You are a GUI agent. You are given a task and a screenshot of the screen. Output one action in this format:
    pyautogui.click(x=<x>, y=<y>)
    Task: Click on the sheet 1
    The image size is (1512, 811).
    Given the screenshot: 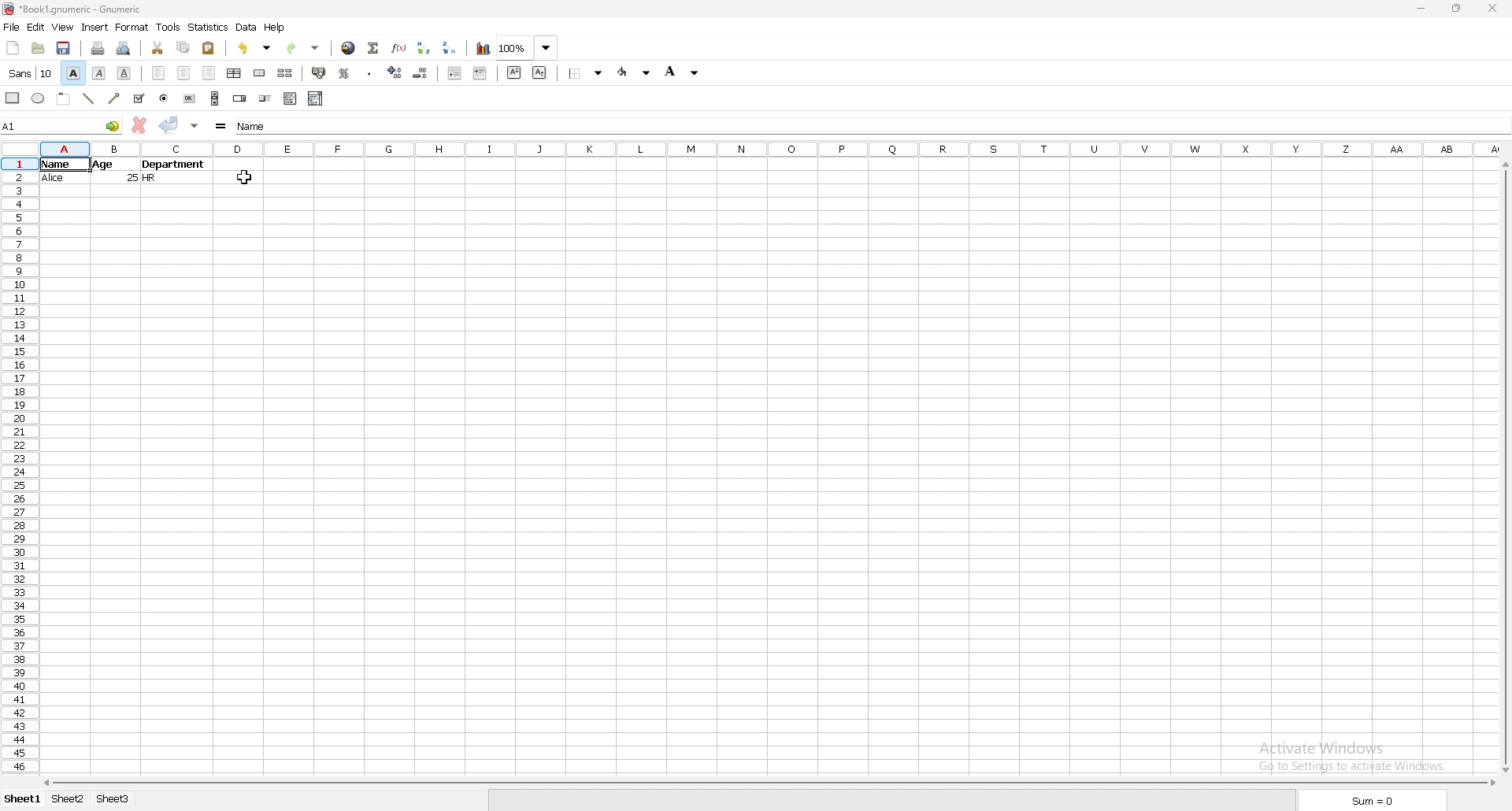 What is the action you would take?
    pyautogui.click(x=22, y=799)
    